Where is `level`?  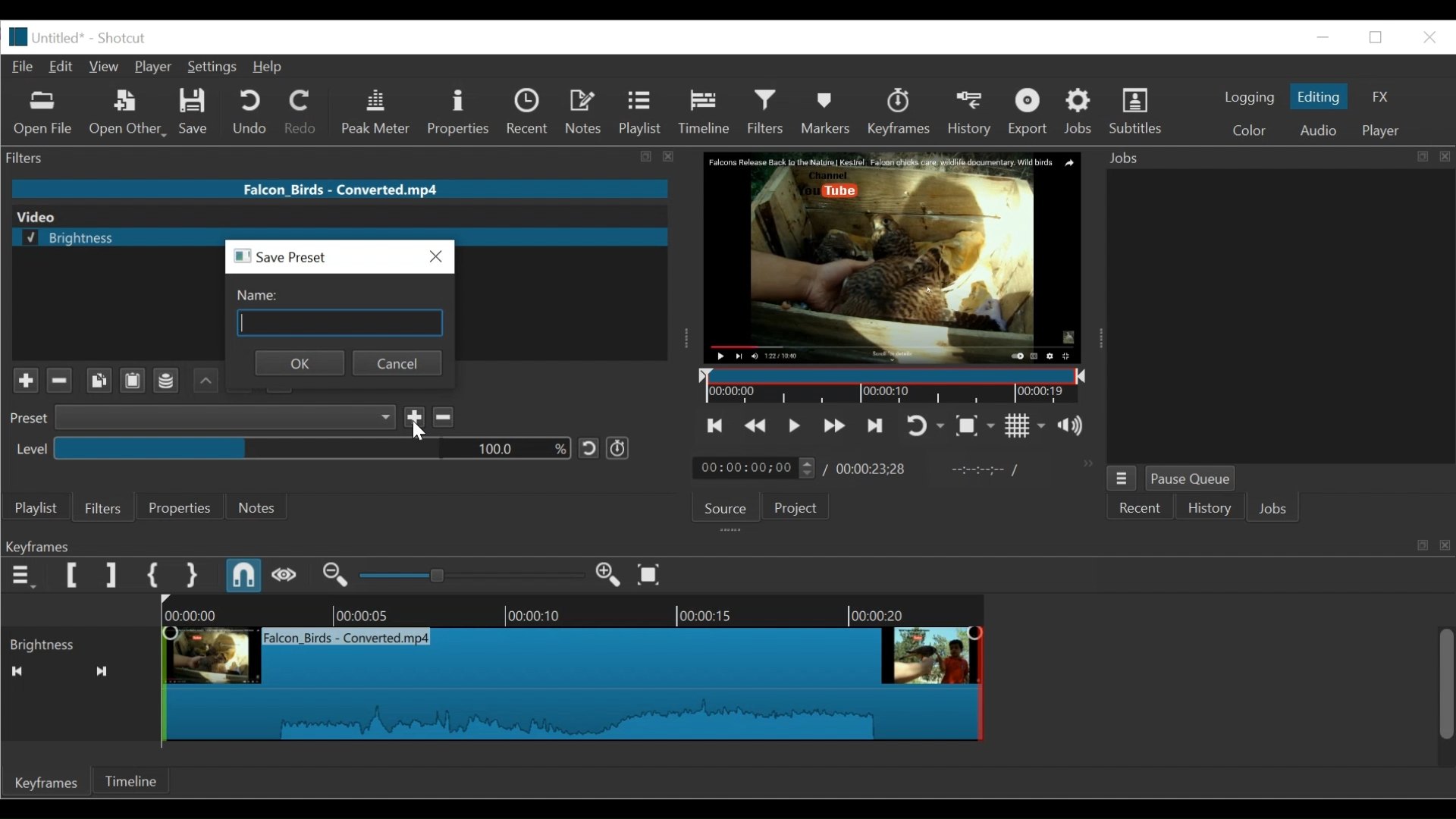
level is located at coordinates (26, 448).